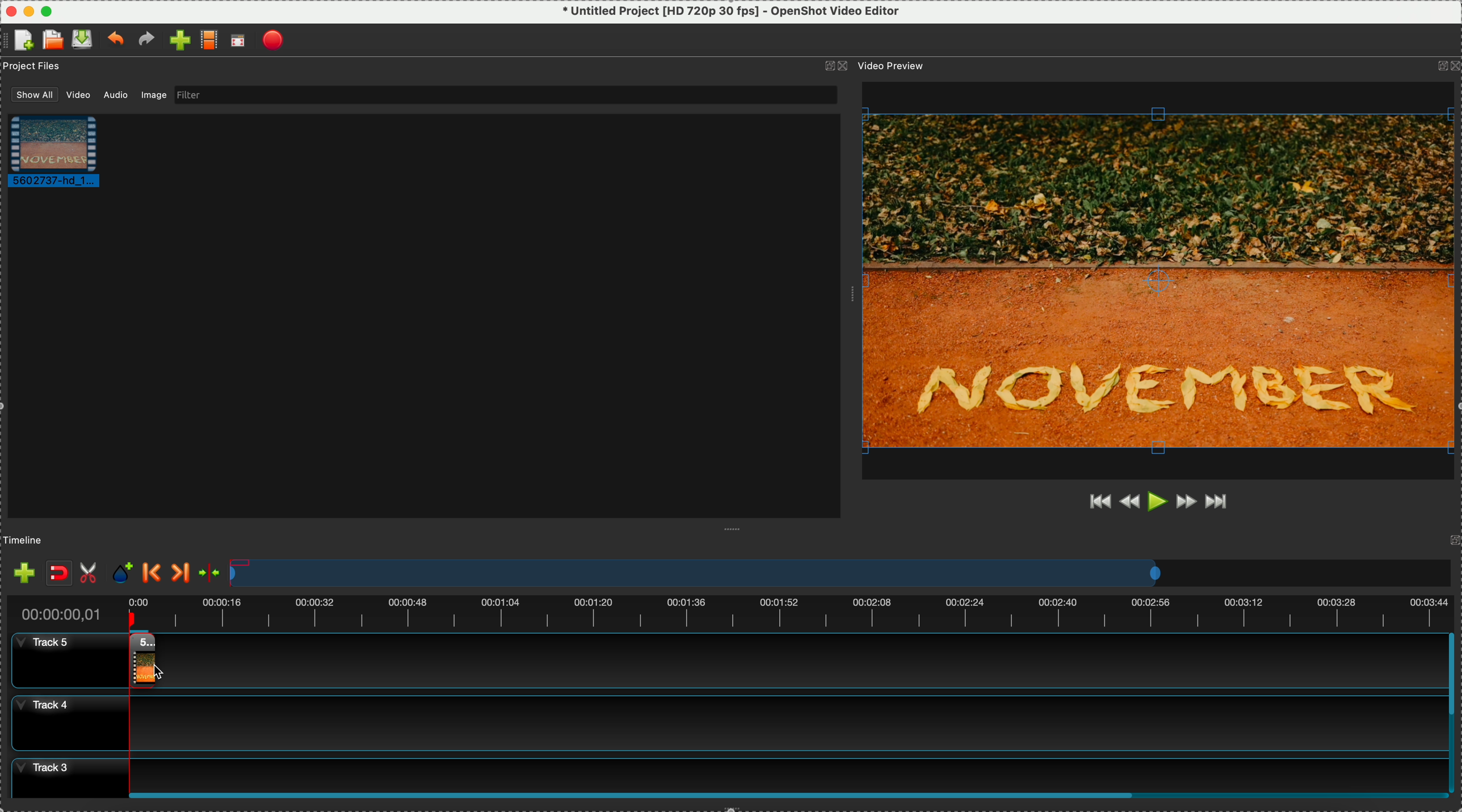 Image resolution: width=1462 pixels, height=812 pixels. What do you see at coordinates (733, 529) in the screenshot?
I see `Window Expanding` at bounding box center [733, 529].